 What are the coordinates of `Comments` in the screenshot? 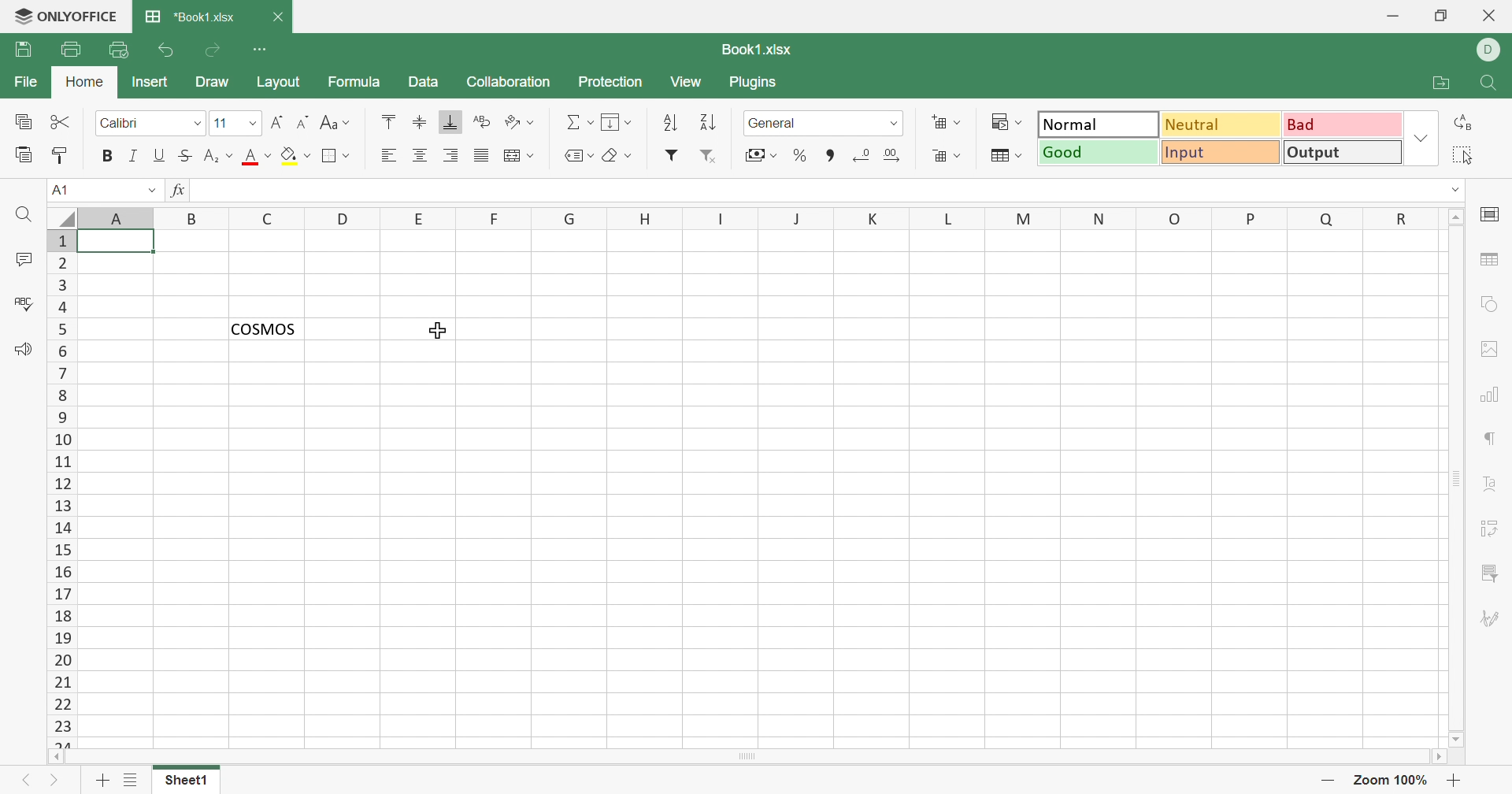 It's located at (22, 258).